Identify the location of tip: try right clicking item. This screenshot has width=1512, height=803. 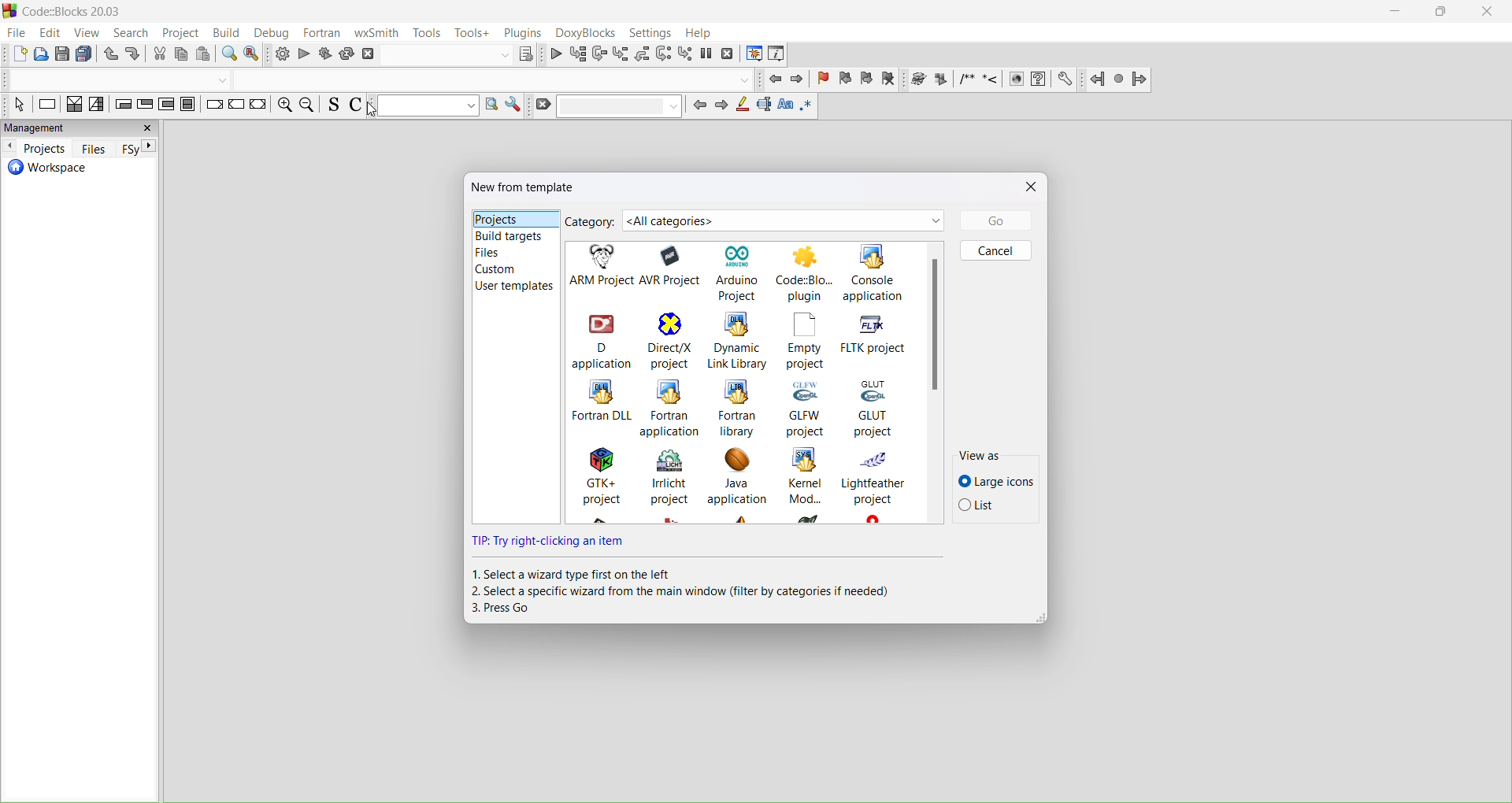
(551, 543).